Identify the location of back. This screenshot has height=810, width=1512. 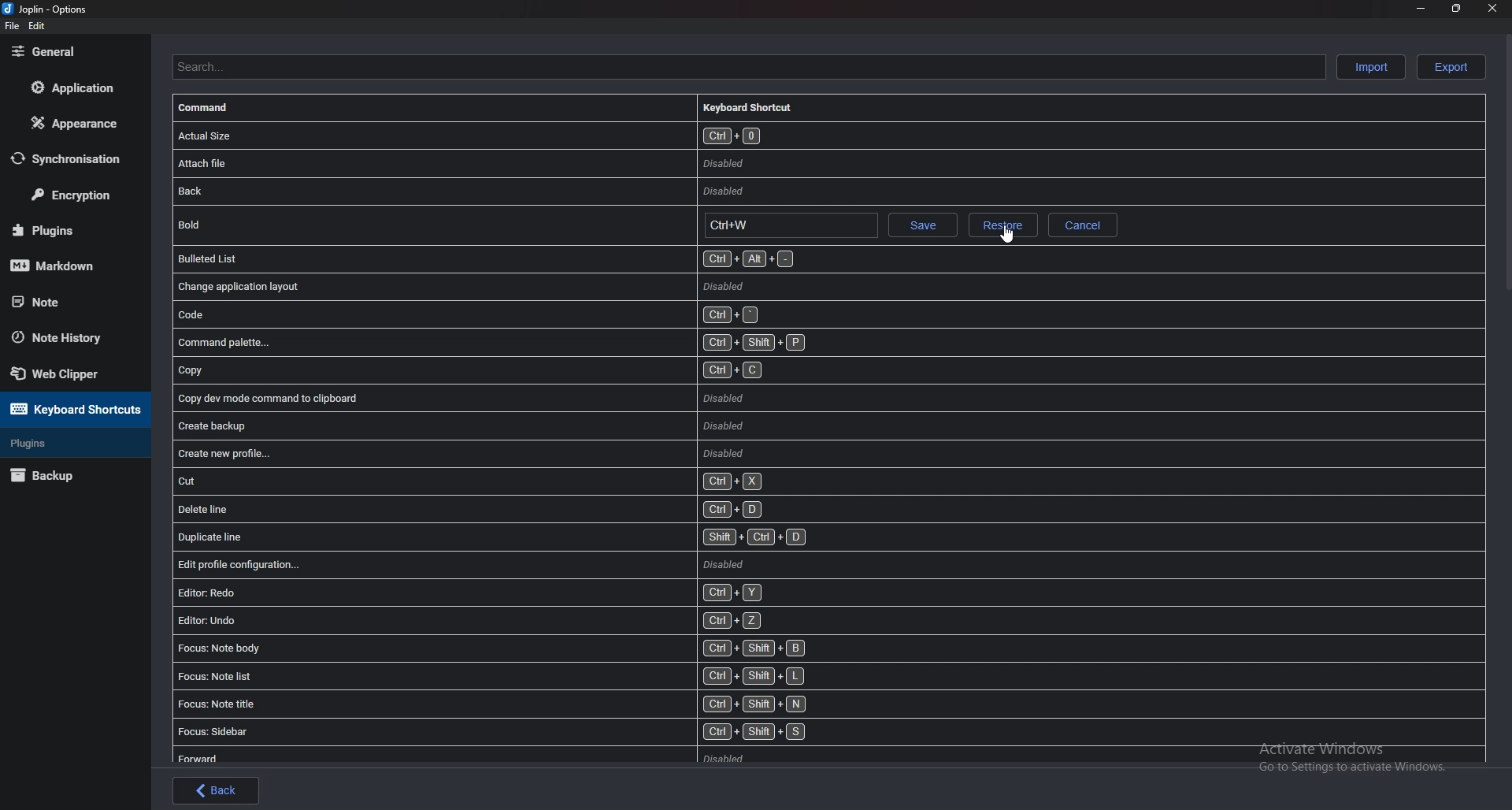
(611, 190).